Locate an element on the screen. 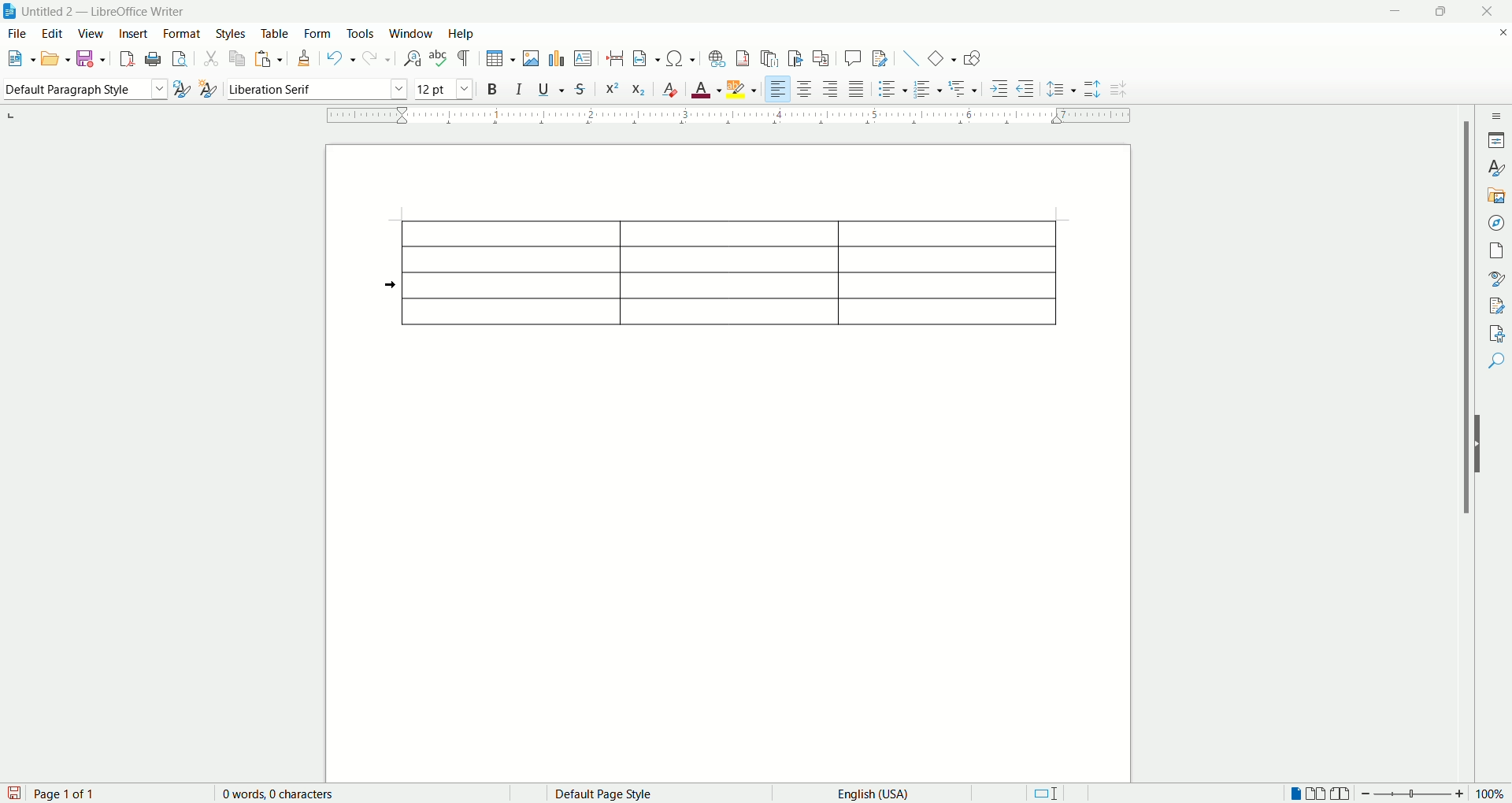 This screenshot has width=1512, height=803. clear formating is located at coordinates (668, 89).